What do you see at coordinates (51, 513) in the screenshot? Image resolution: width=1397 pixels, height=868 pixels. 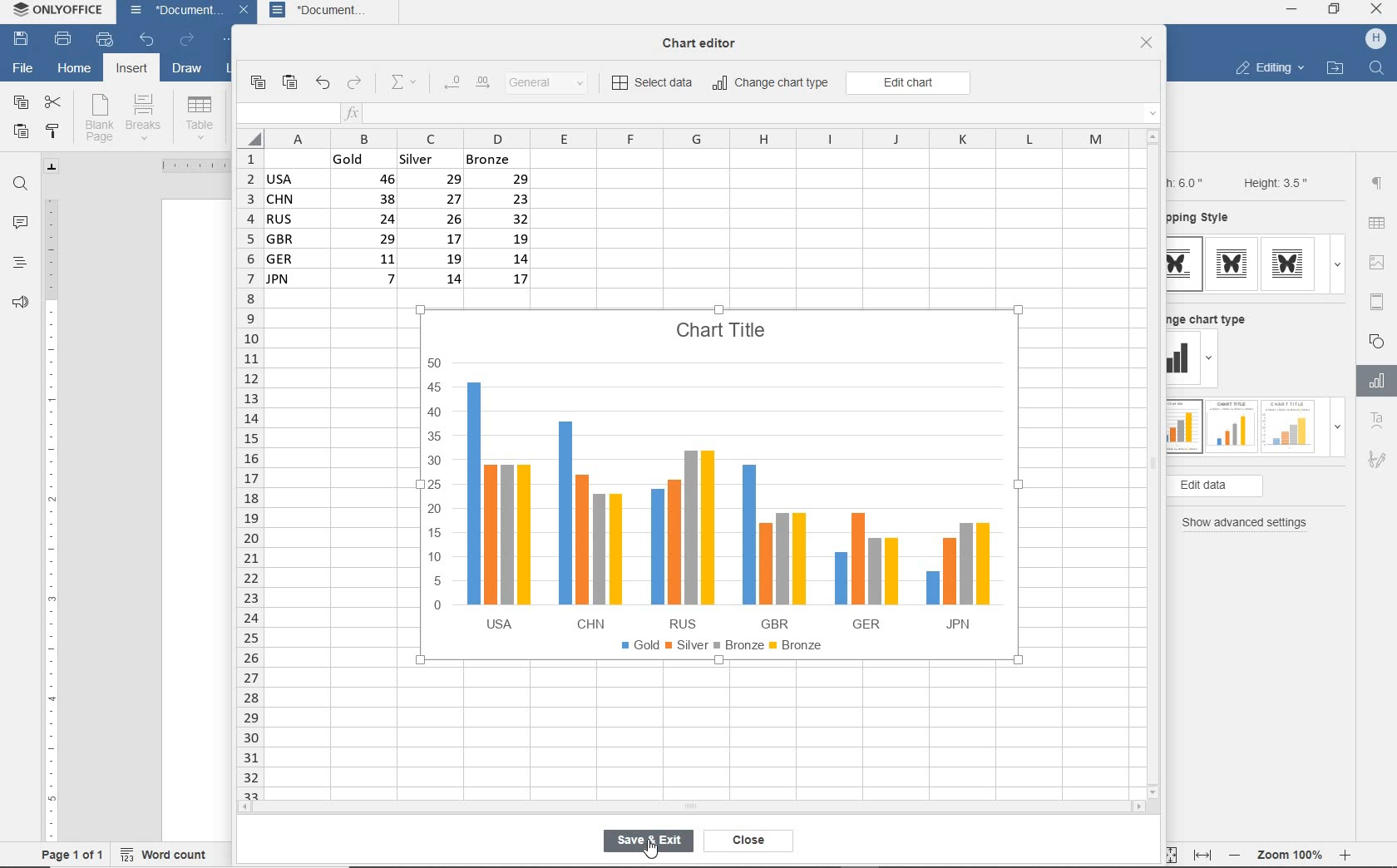 I see `ruler` at bounding box center [51, 513].